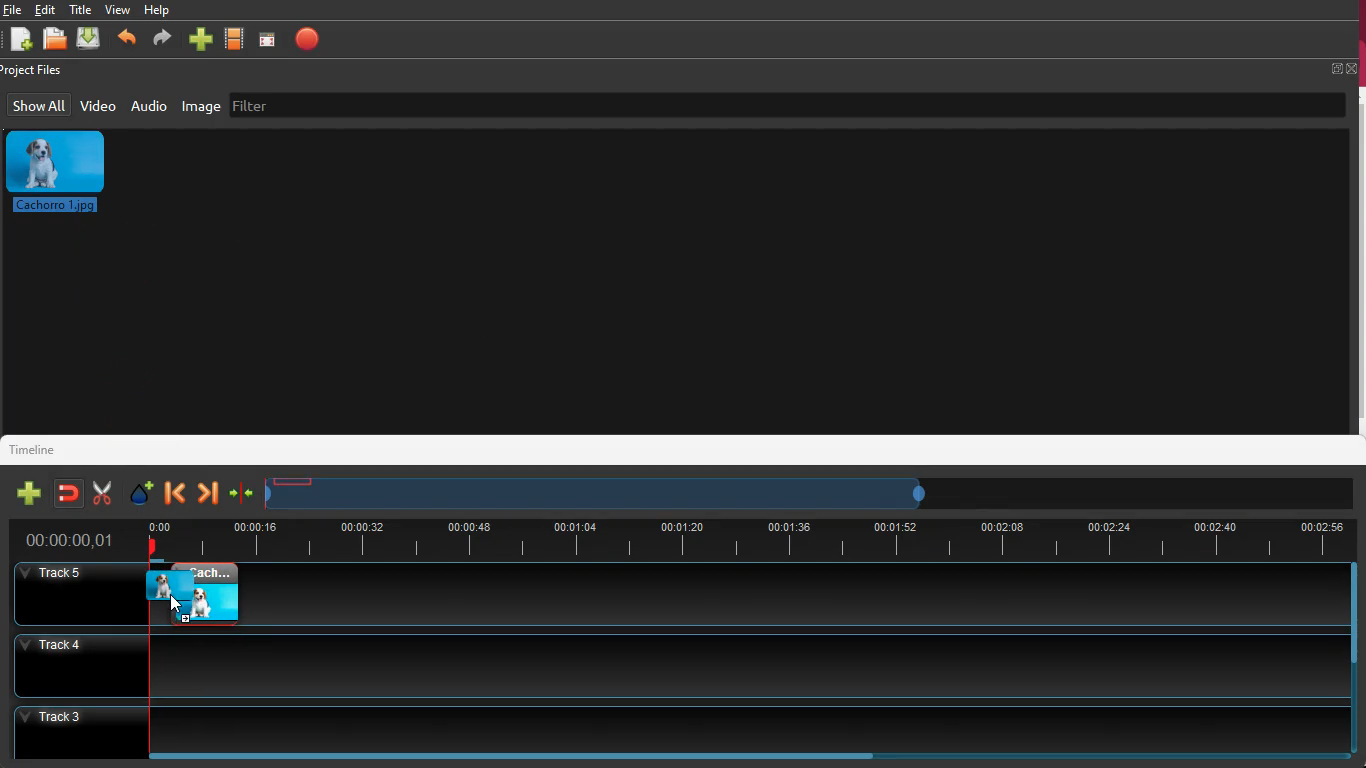 The height and width of the screenshot is (768, 1366). Describe the element at coordinates (138, 492) in the screenshot. I see `effect` at that location.